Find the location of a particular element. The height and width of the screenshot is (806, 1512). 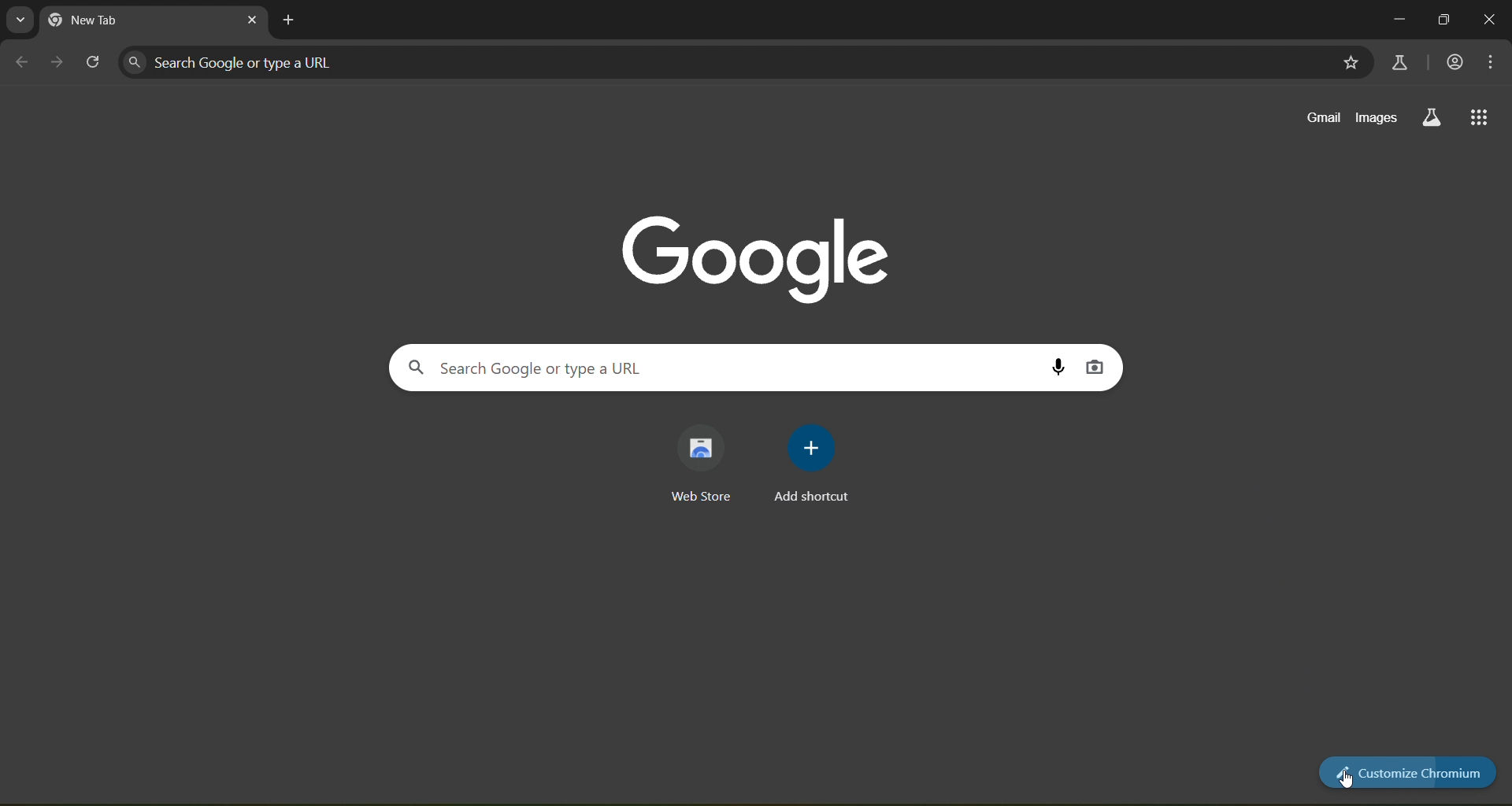

search labs is located at coordinates (1432, 116).